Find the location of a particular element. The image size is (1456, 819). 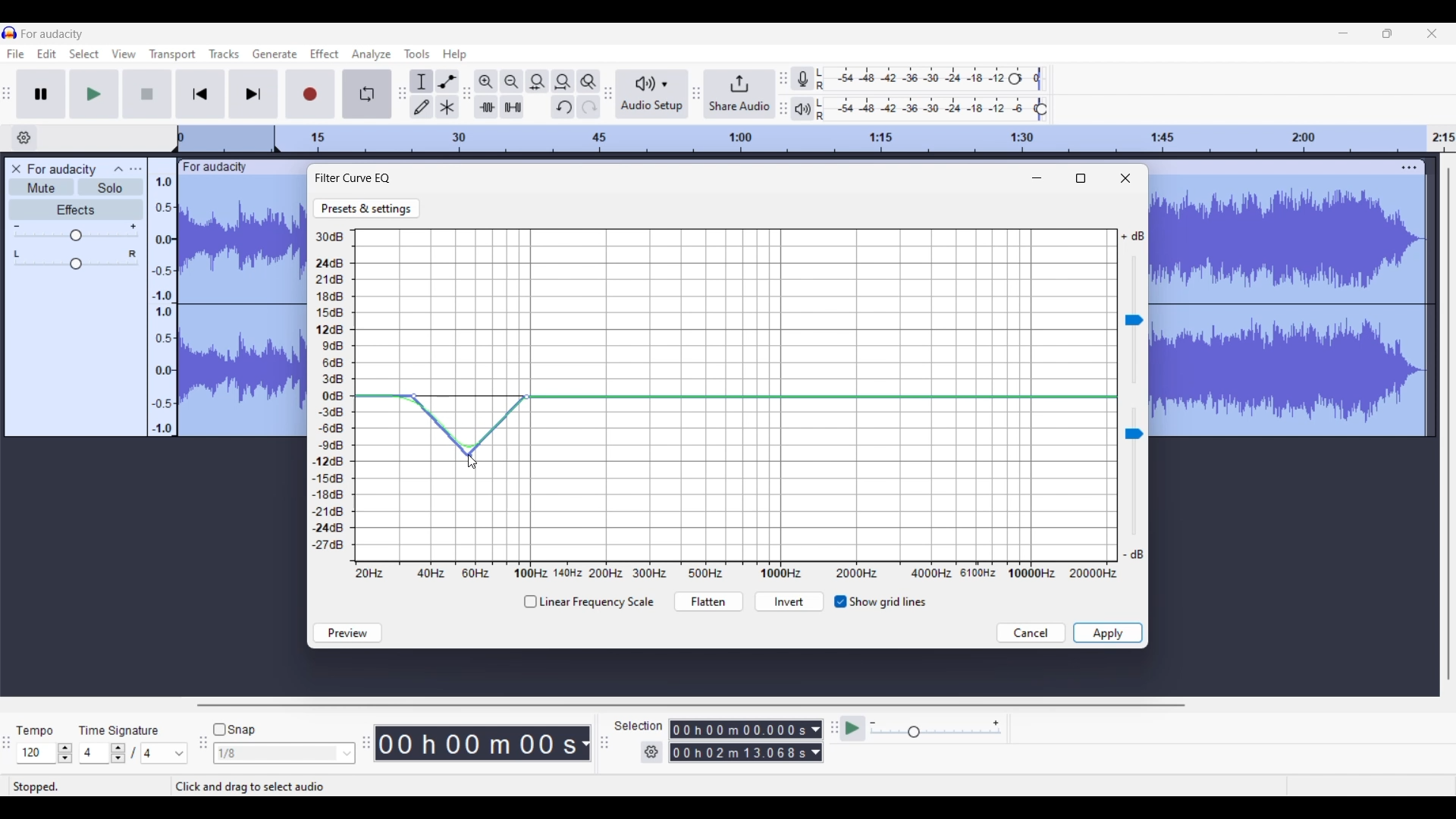

Collapse is located at coordinates (119, 168).